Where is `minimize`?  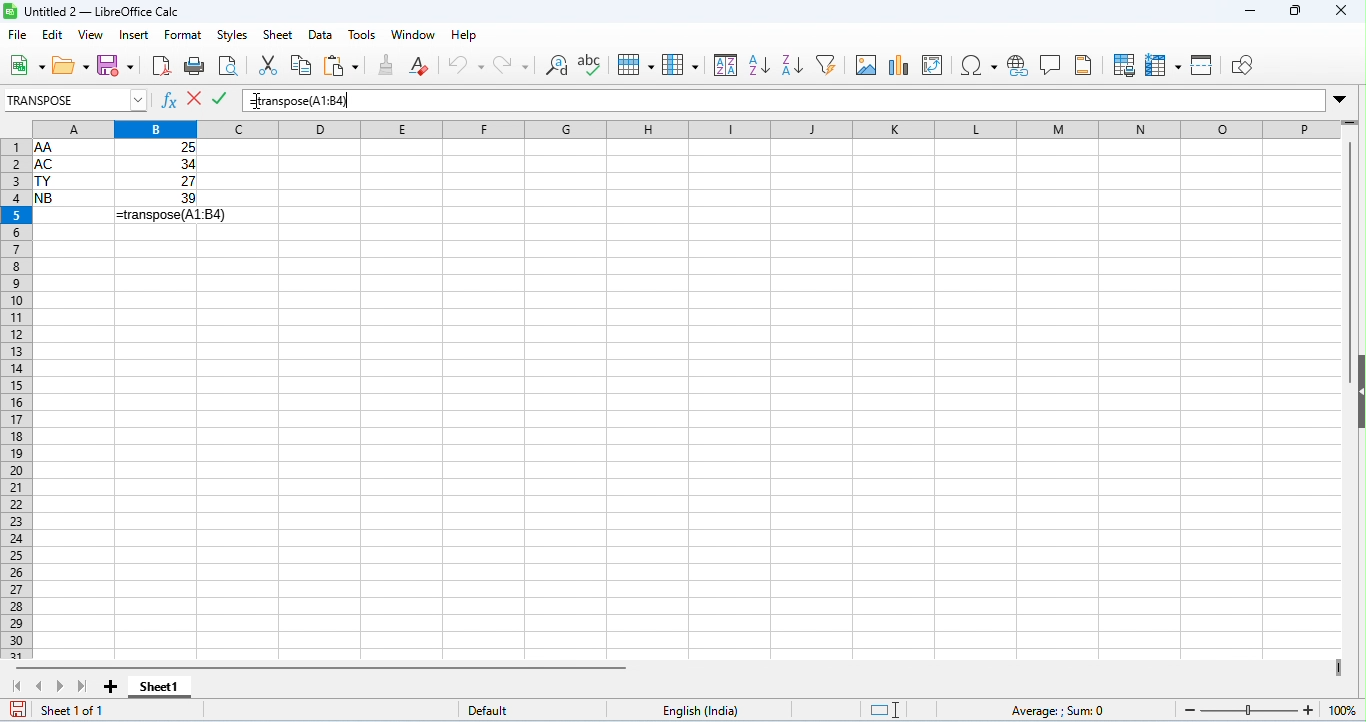
minimize is located at coordinates (1250, 12).